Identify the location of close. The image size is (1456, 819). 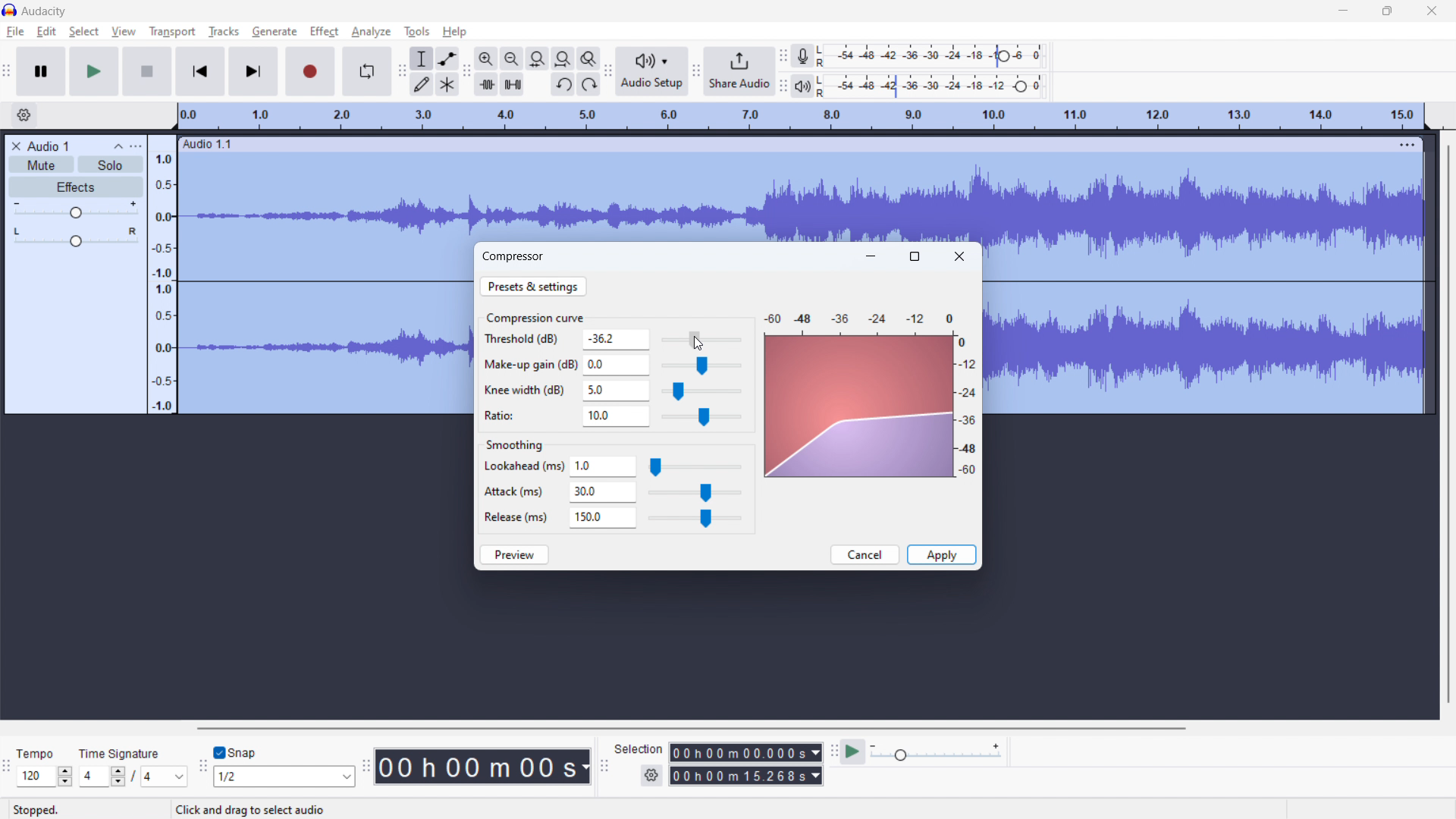
(1432, 11).